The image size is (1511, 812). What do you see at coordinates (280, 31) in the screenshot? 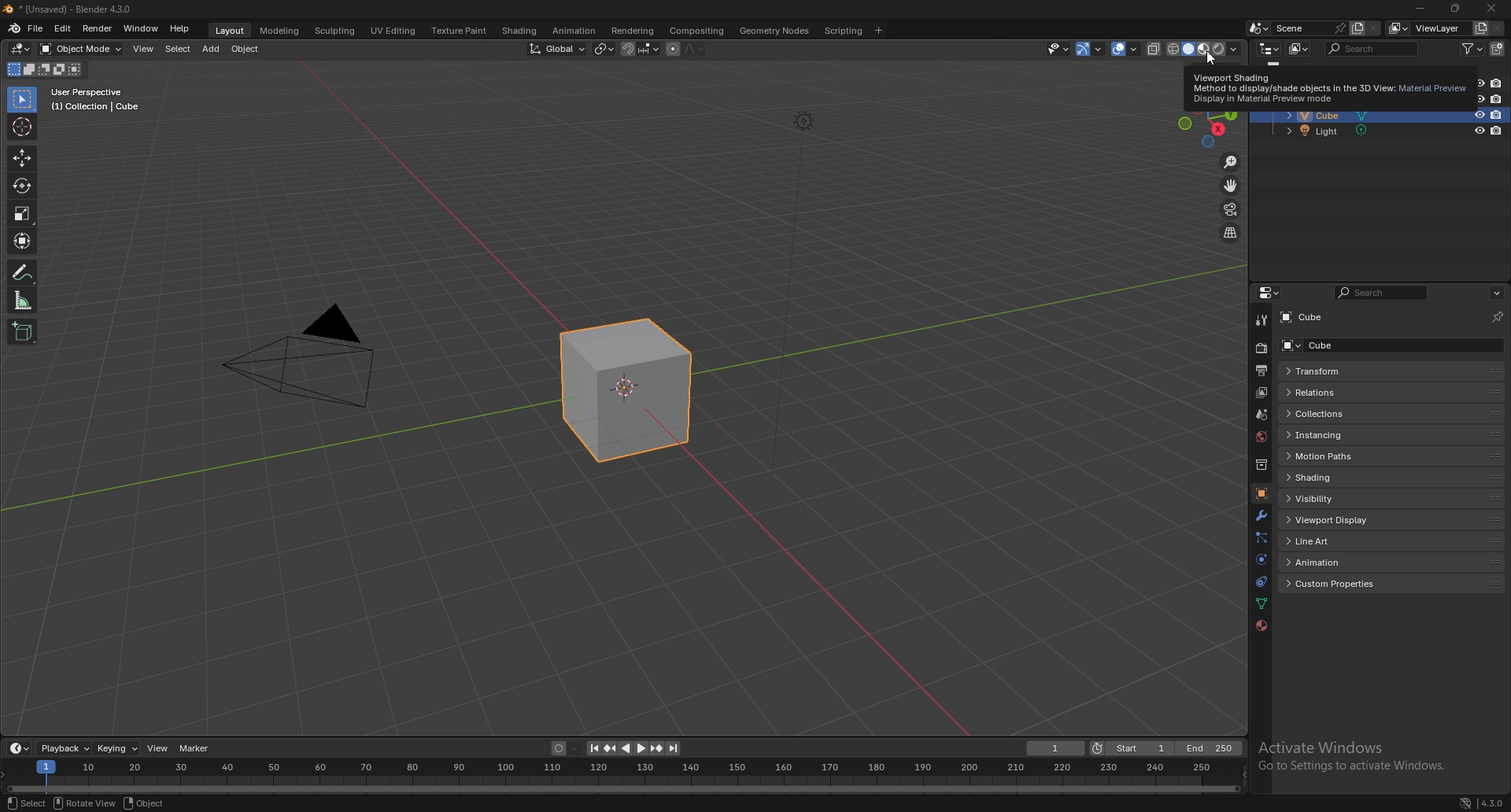
I see `modeling` at bounding box center [280, 31].